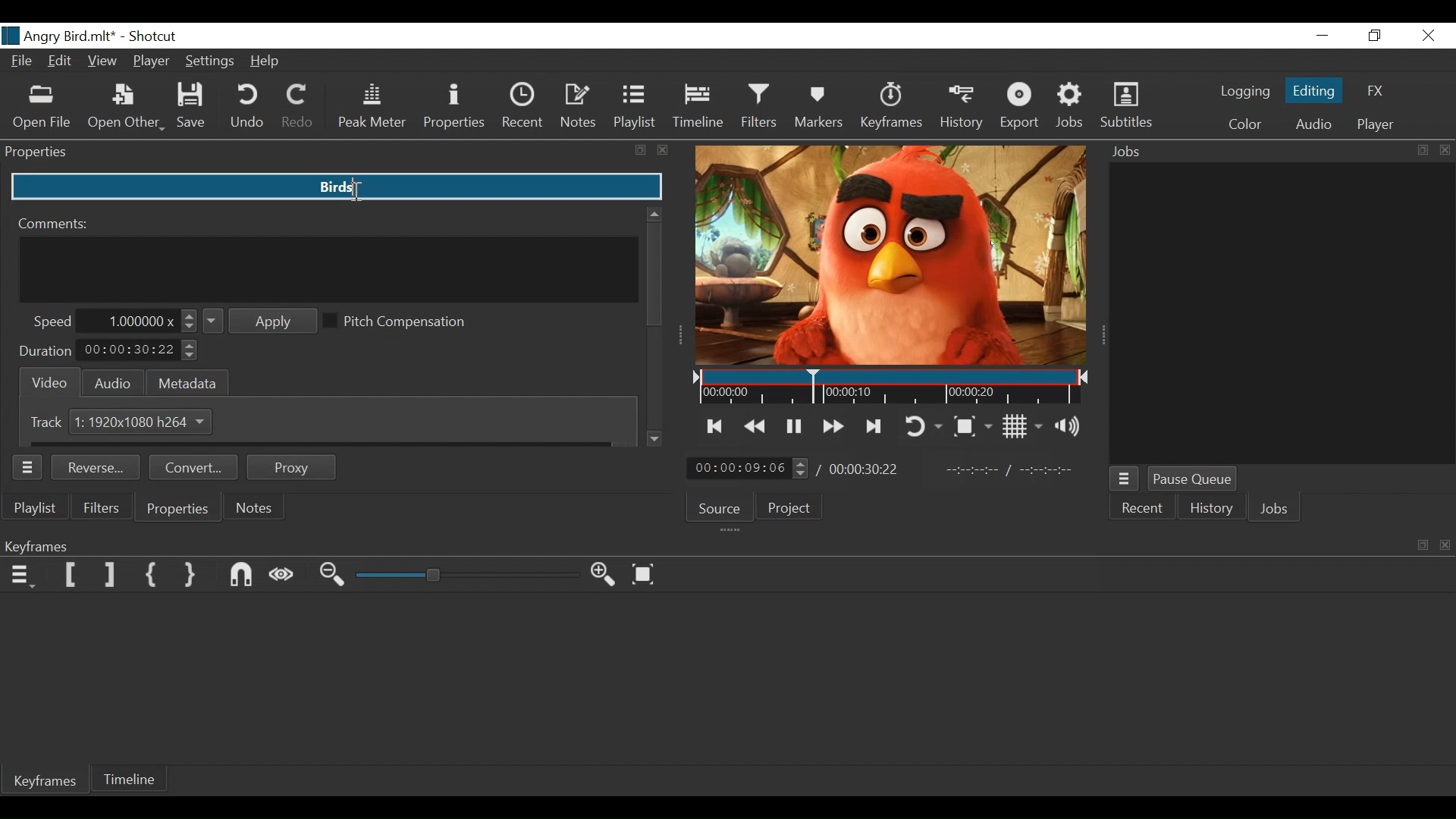 The height and width of the screenshot is (819, 1456). Describe the element at coordinates (401, 322) in the screenshot. I see `Pitch Compensation` at that location.